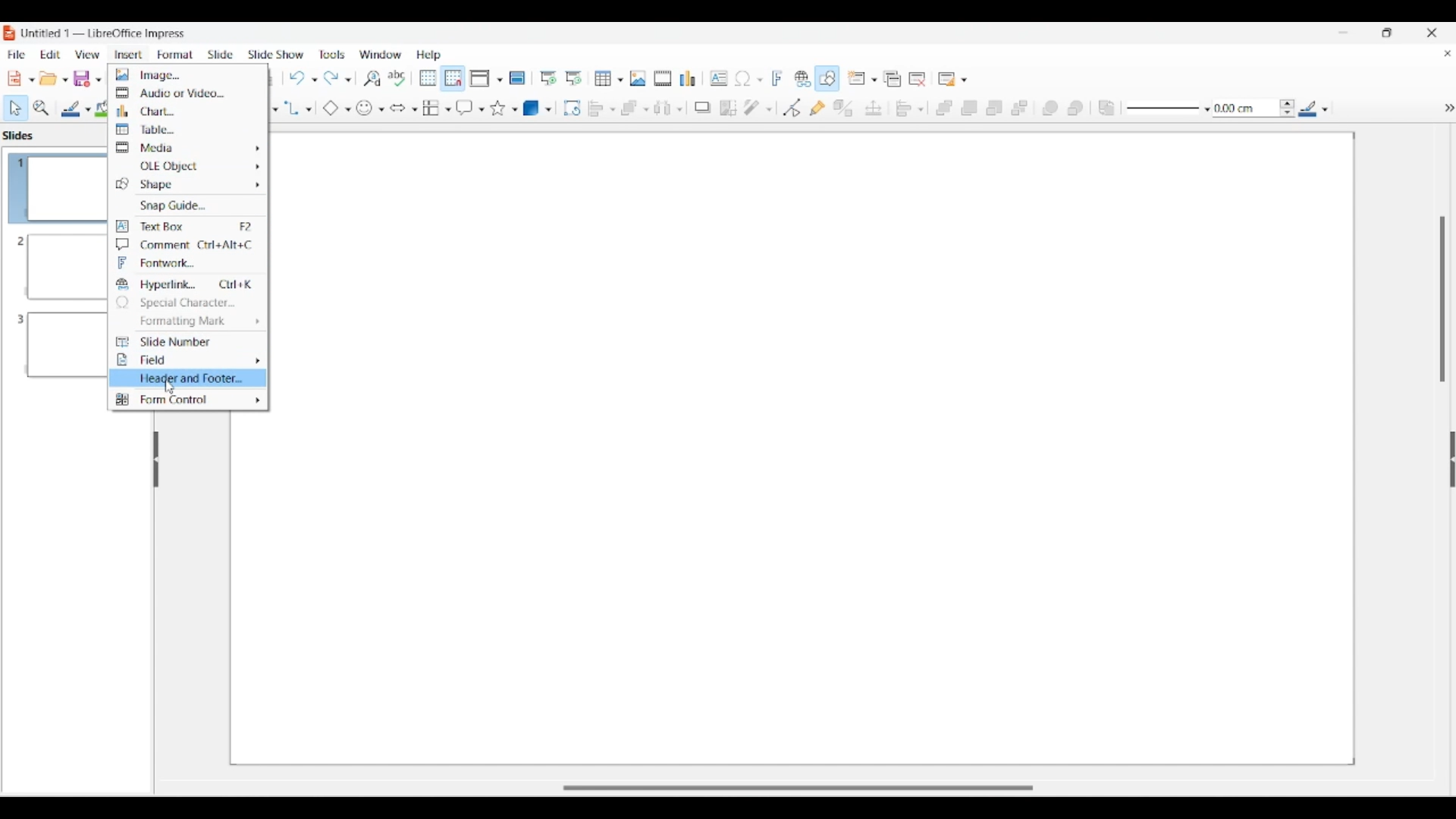  I want to click on Show gluepoint functions, so click(817, 108).